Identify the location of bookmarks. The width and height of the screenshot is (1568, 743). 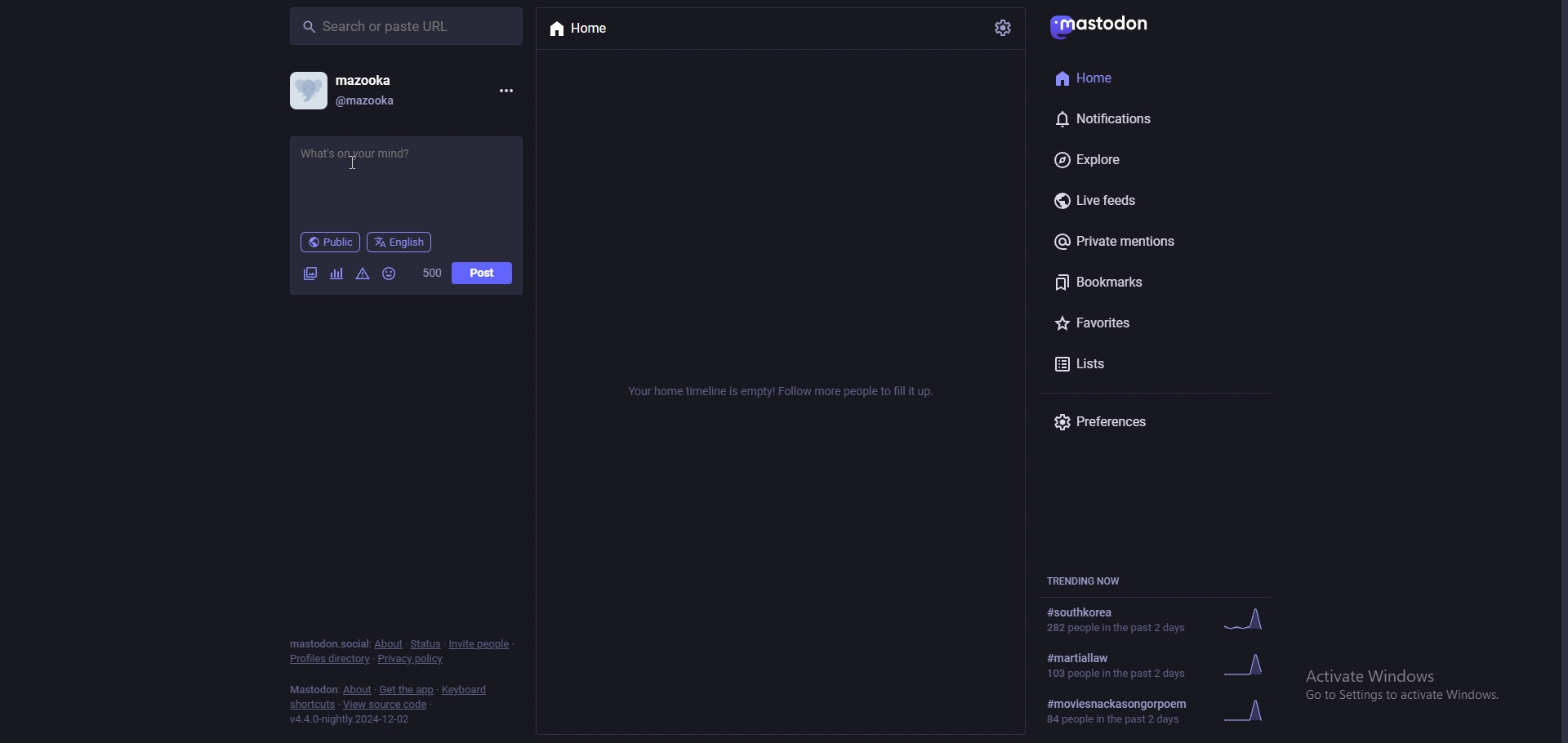
(1141, 283).